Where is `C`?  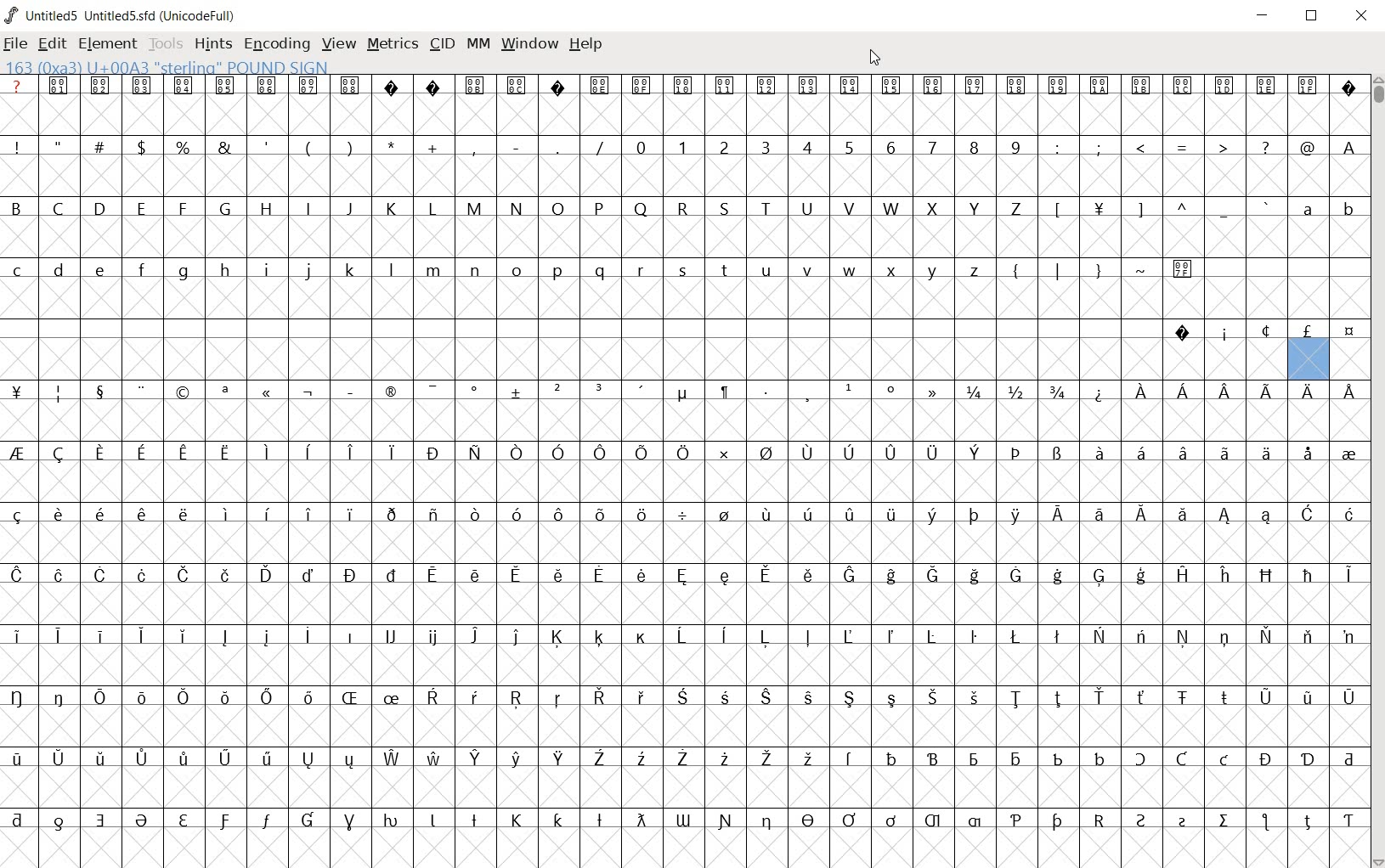
C is located at coordinates (60, 210).